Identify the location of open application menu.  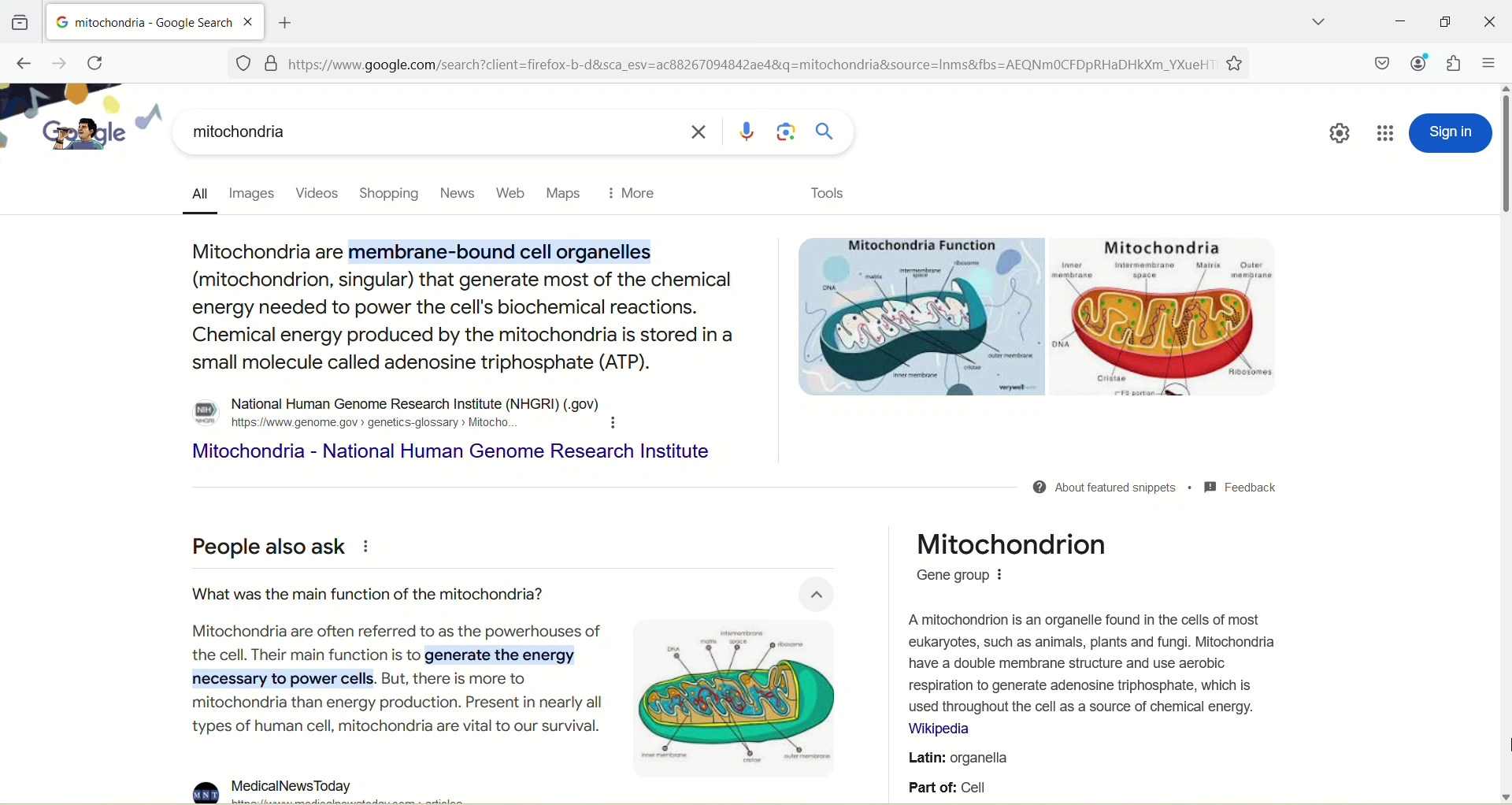
(1488, 65).